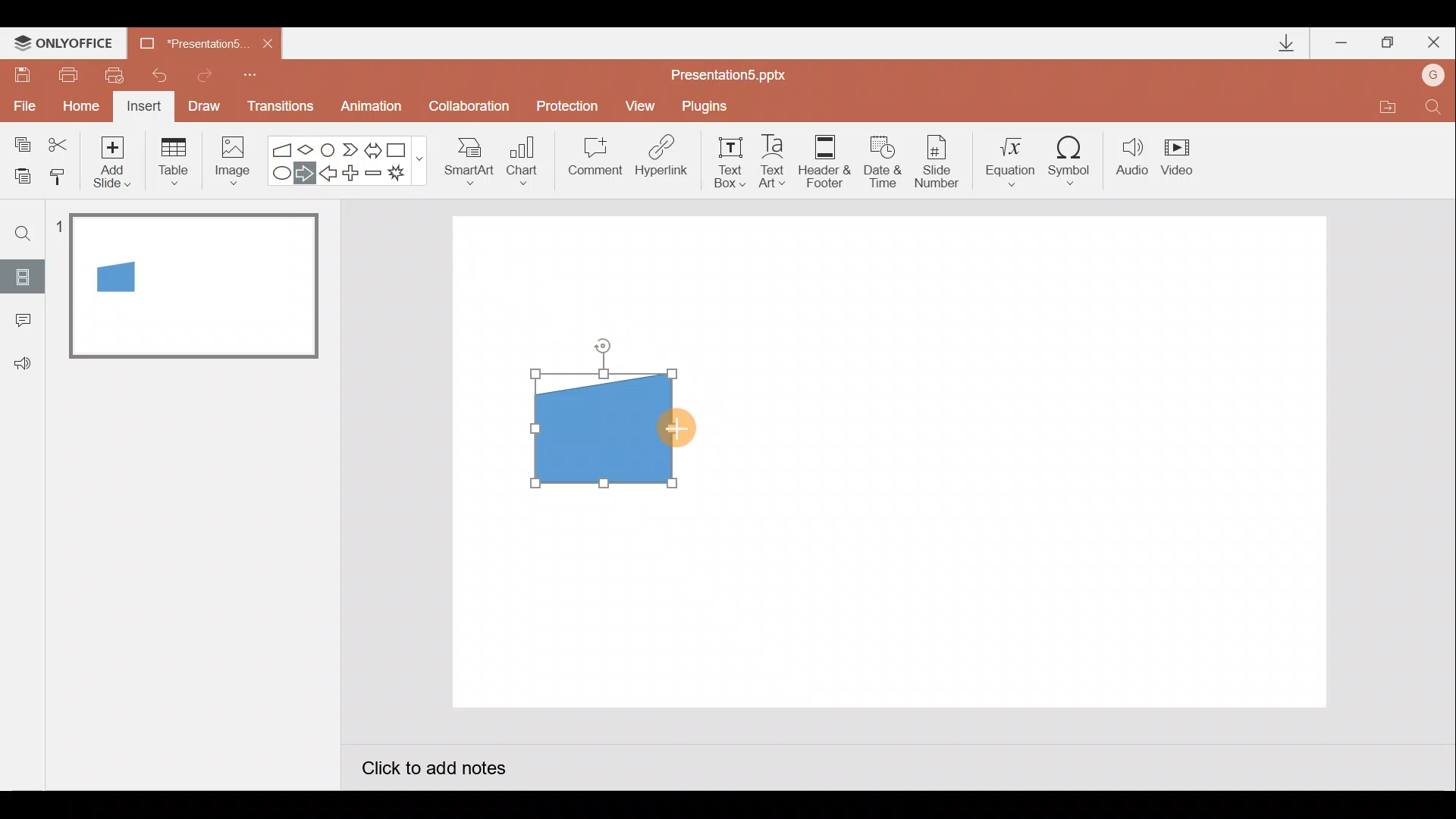 Image resolution: width=1456 pixels, height=819 pixels. Describe the element at coordinates (284, 148) in the screenshot. I see `Flowchart - manual input` at that location.